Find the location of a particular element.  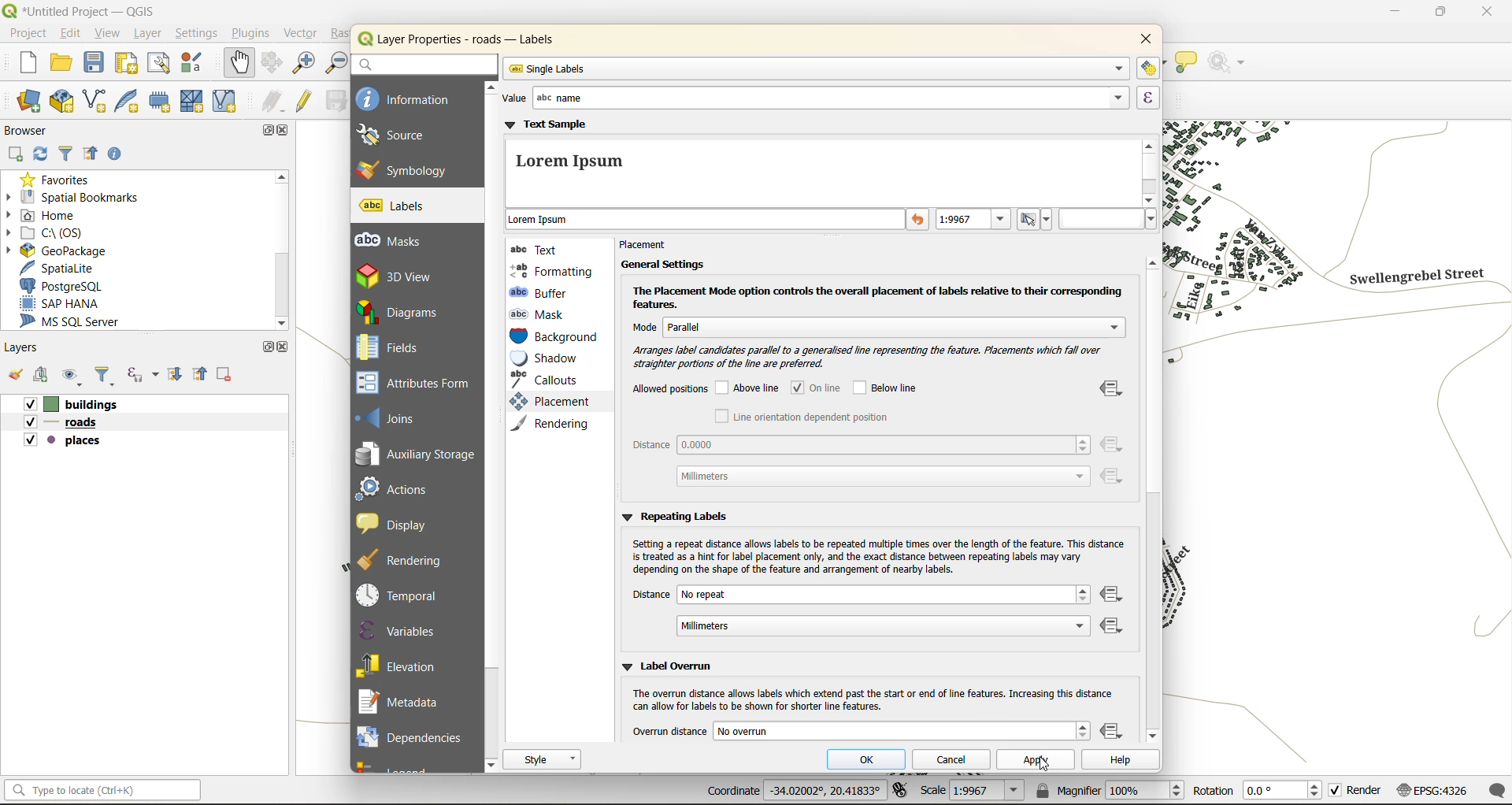

layer is located at coordinates (146, 35).